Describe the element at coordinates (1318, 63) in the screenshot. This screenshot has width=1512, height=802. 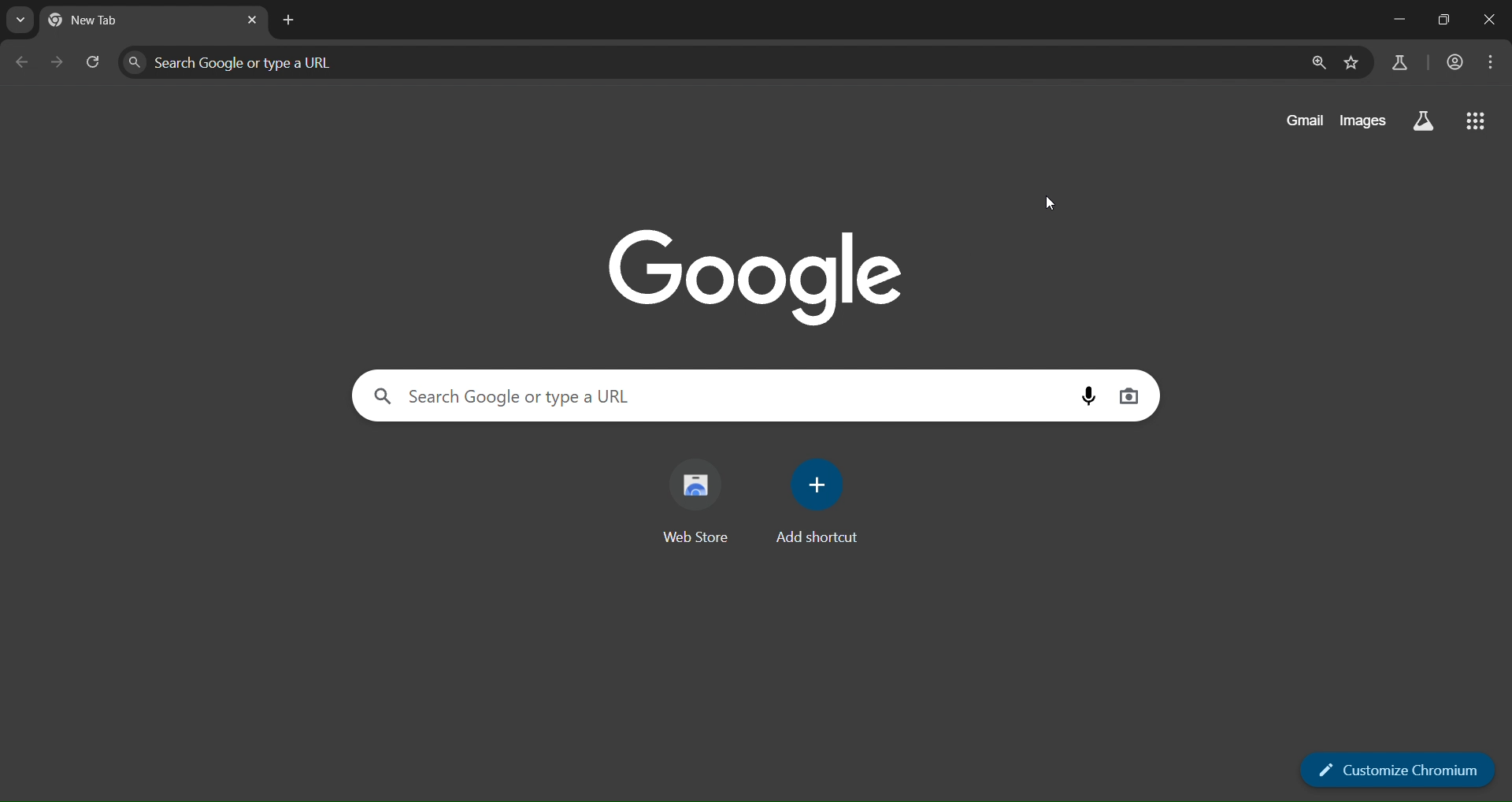
I see `zoom ` at that location.